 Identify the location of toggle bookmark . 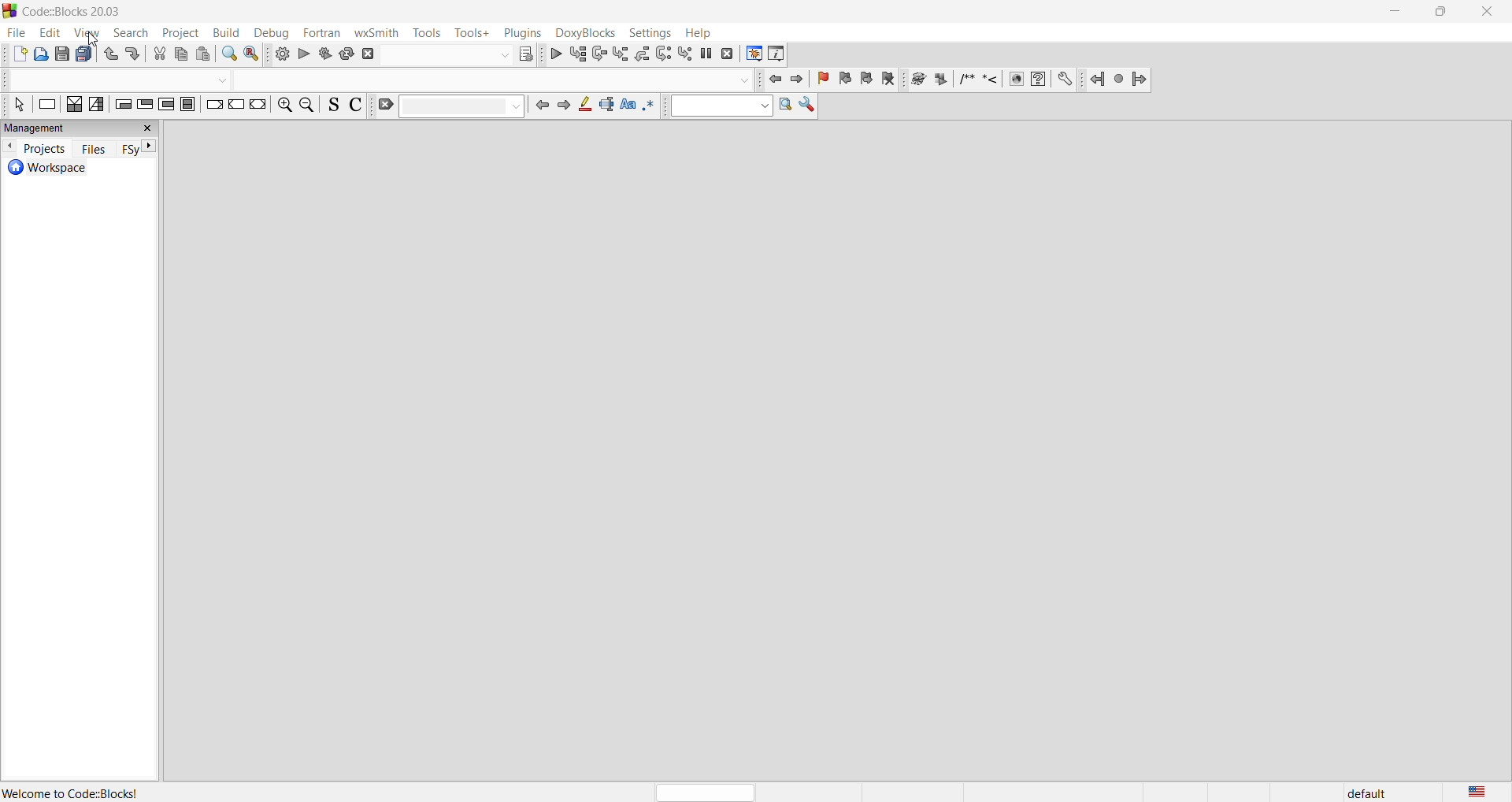
(821, 78).